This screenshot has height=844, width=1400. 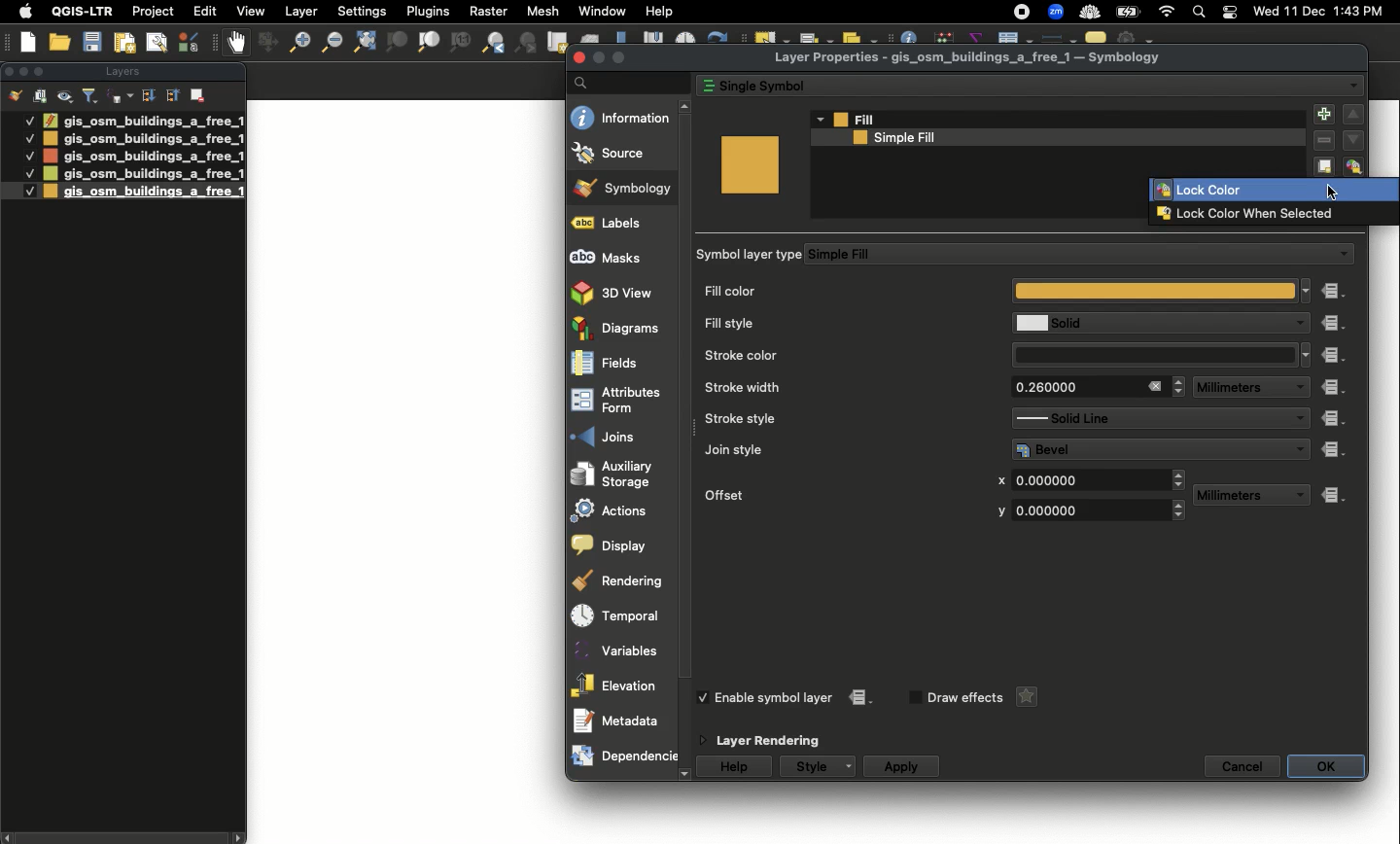 I want to click on Checked, so click(x=28, y=120).